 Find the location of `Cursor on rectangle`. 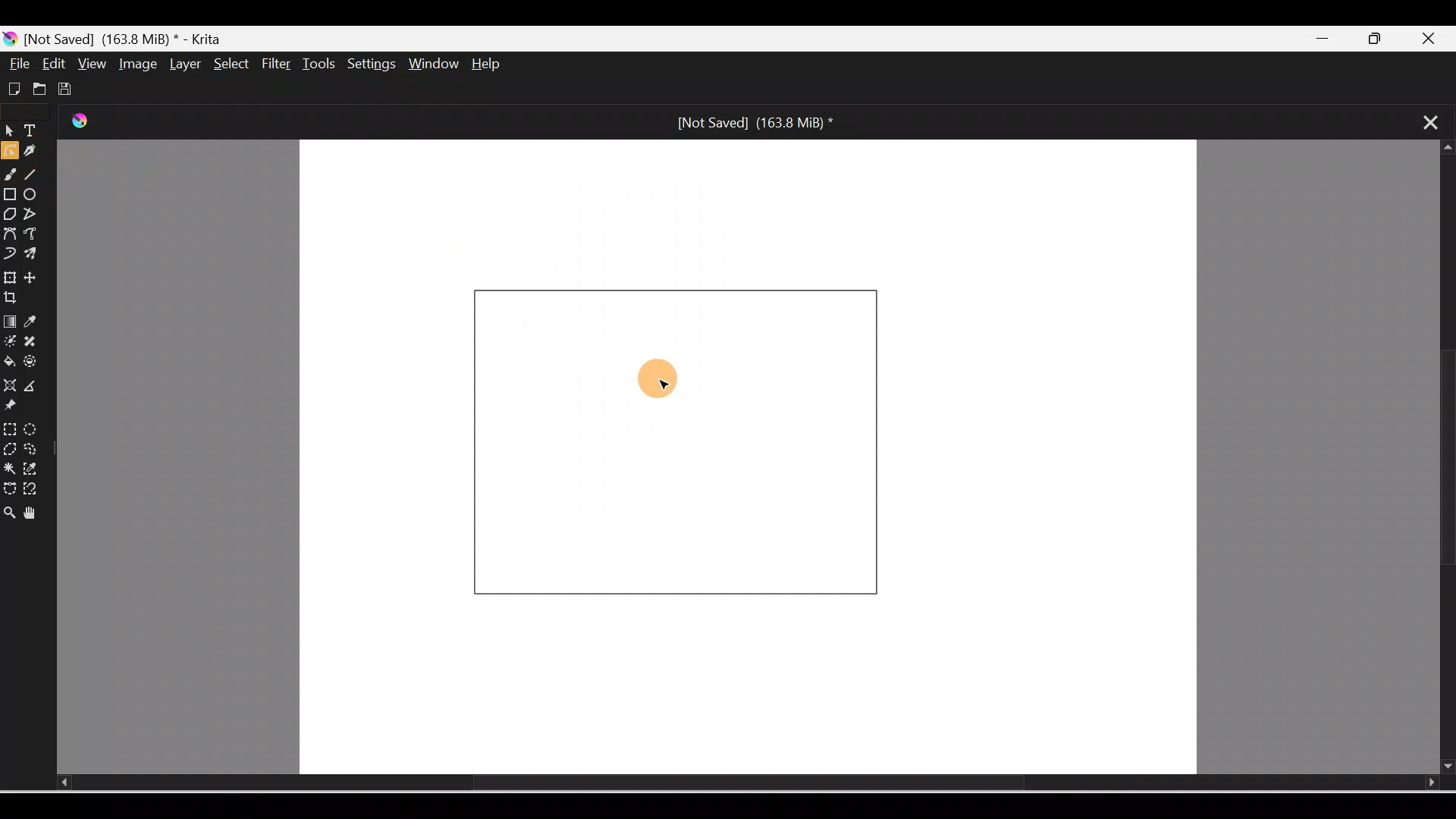

Cursor on rectangle is located at coordinates (661, 378).